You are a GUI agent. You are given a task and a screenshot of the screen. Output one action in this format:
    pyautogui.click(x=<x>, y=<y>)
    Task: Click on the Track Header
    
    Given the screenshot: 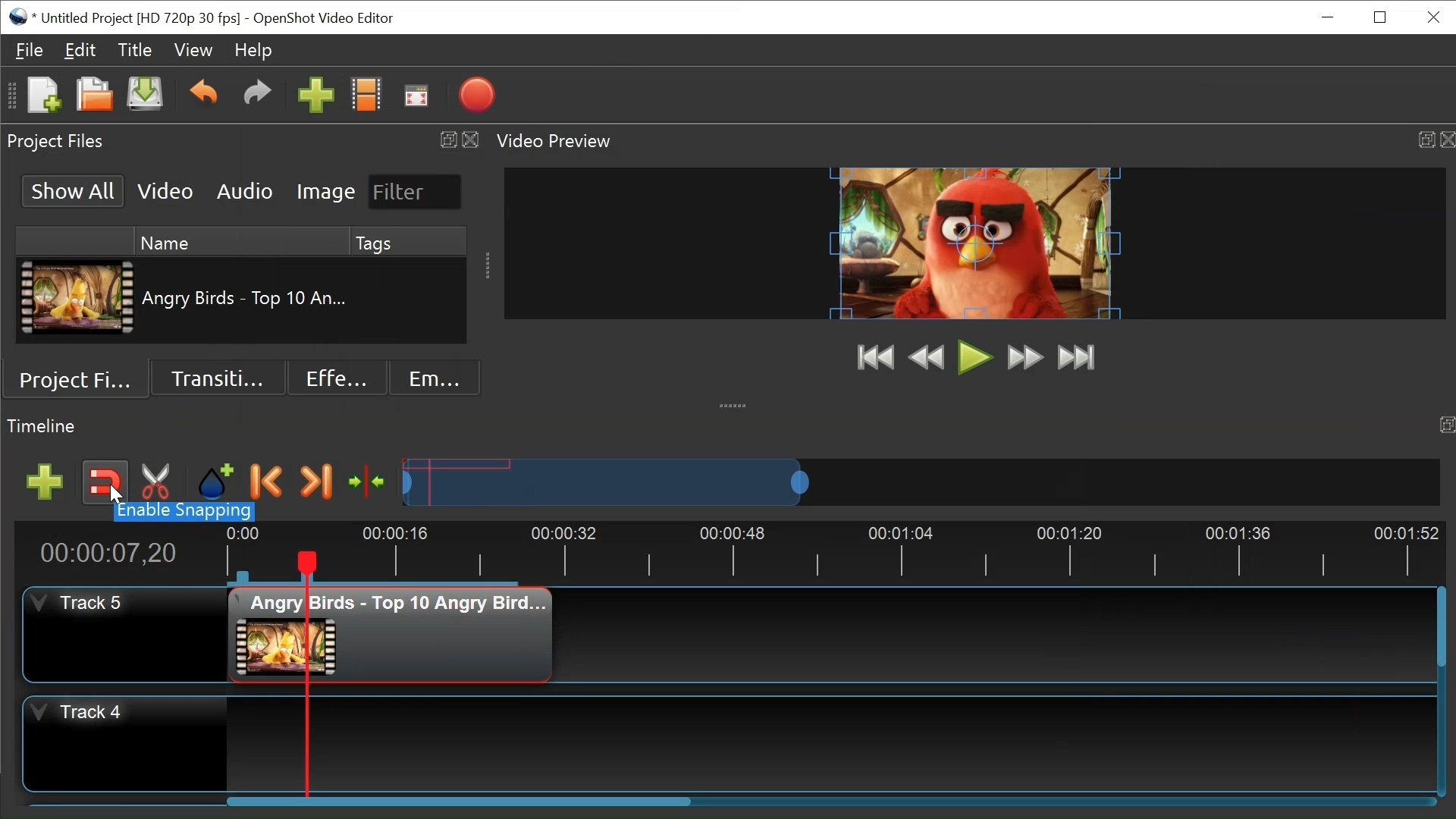 What is the action you would take?
    pyautogui.click(x=80, y=601)
    